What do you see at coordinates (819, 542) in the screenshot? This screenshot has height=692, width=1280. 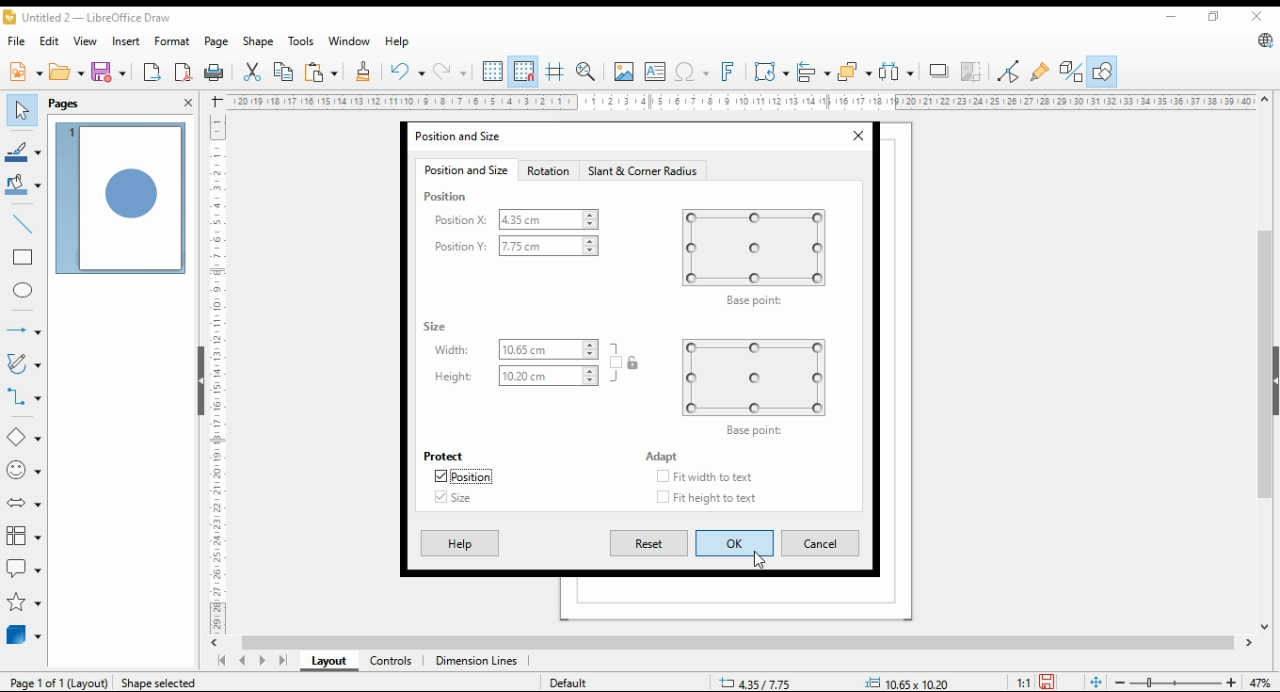 I see `cancel` at bounding box center [819, 542].